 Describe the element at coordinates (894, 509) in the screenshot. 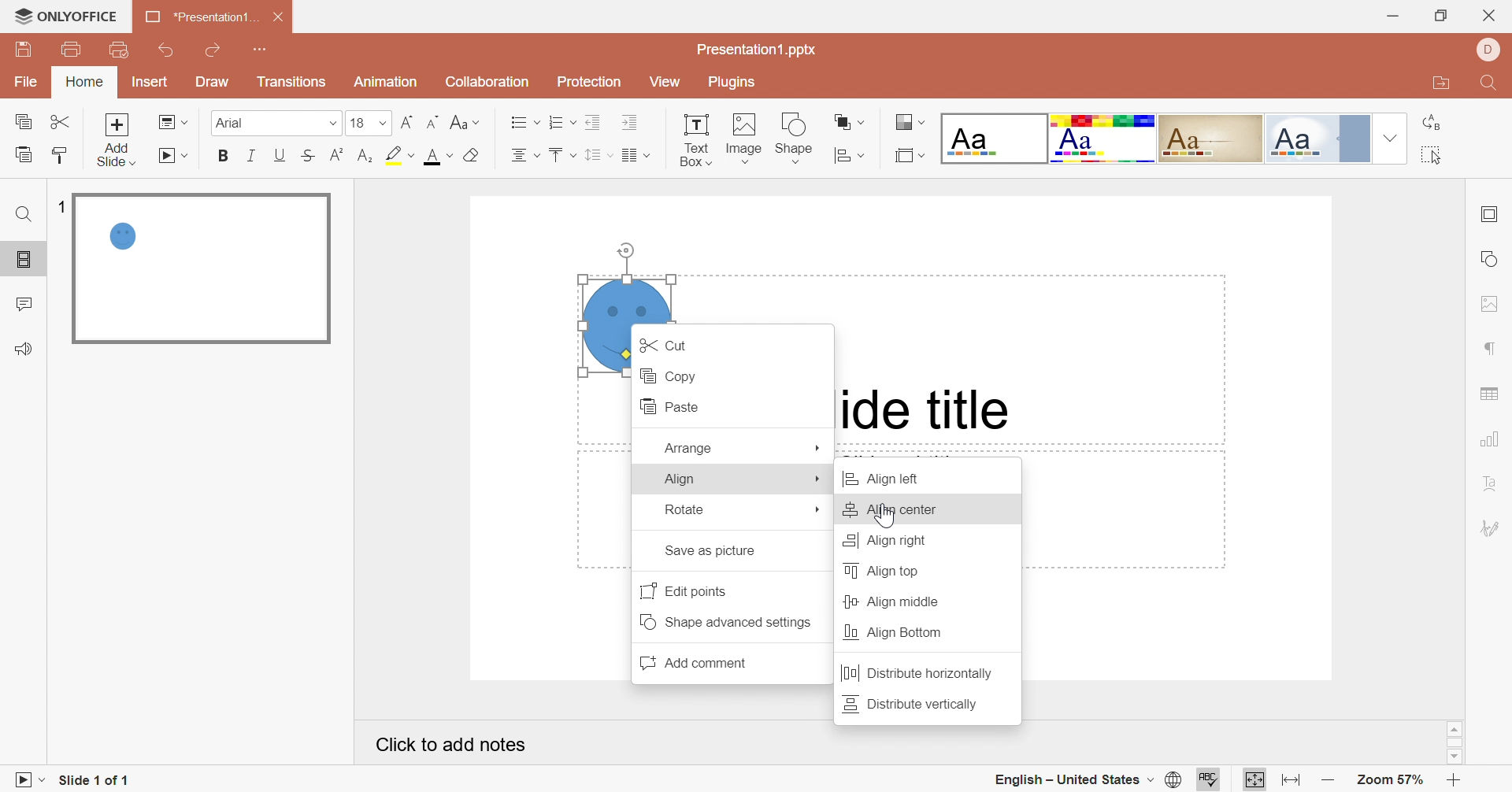

I see `Align Center` at that location.